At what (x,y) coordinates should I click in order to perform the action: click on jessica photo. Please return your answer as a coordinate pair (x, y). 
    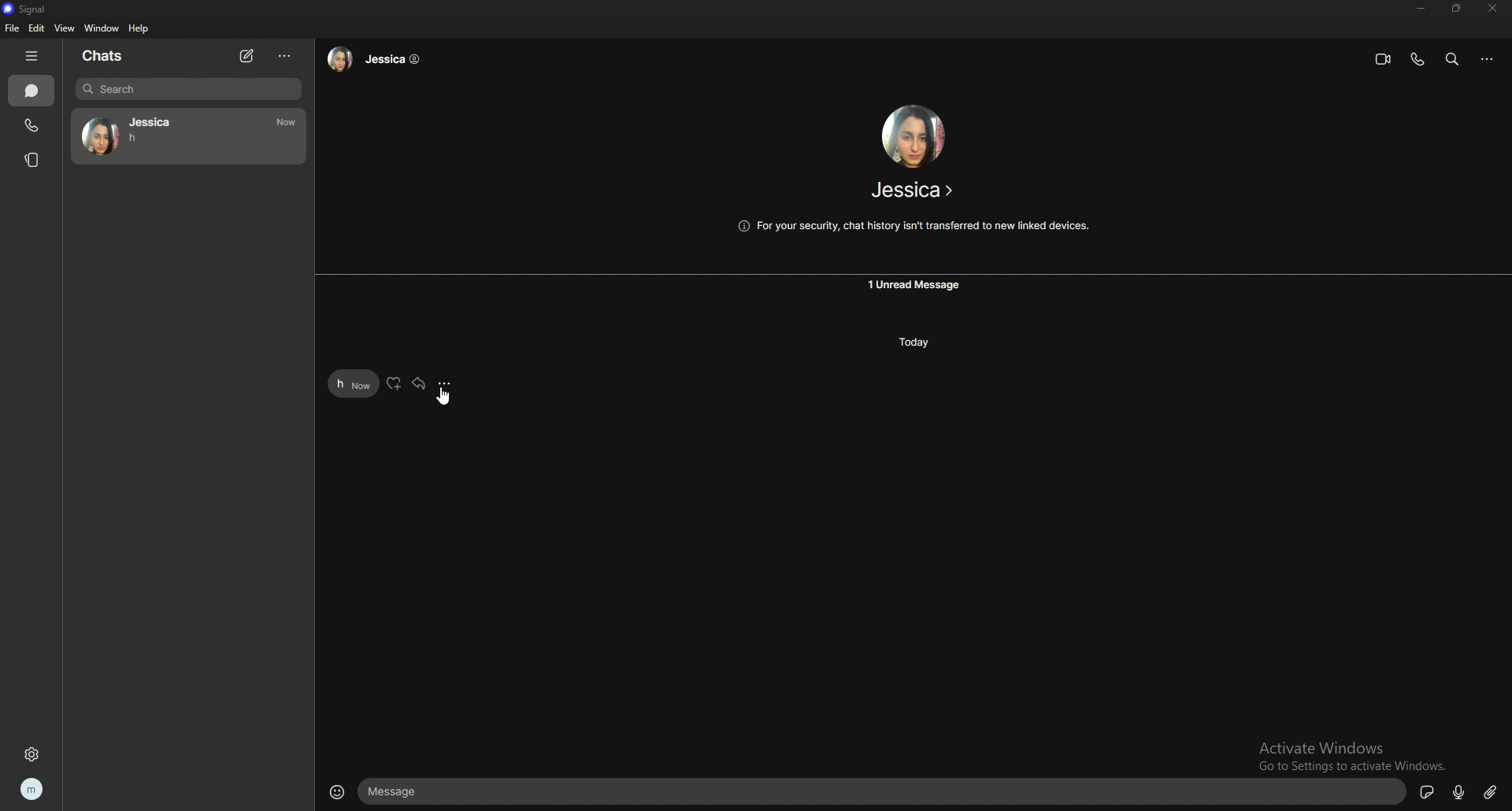
    Looking at the image, I should click on (916, 133).